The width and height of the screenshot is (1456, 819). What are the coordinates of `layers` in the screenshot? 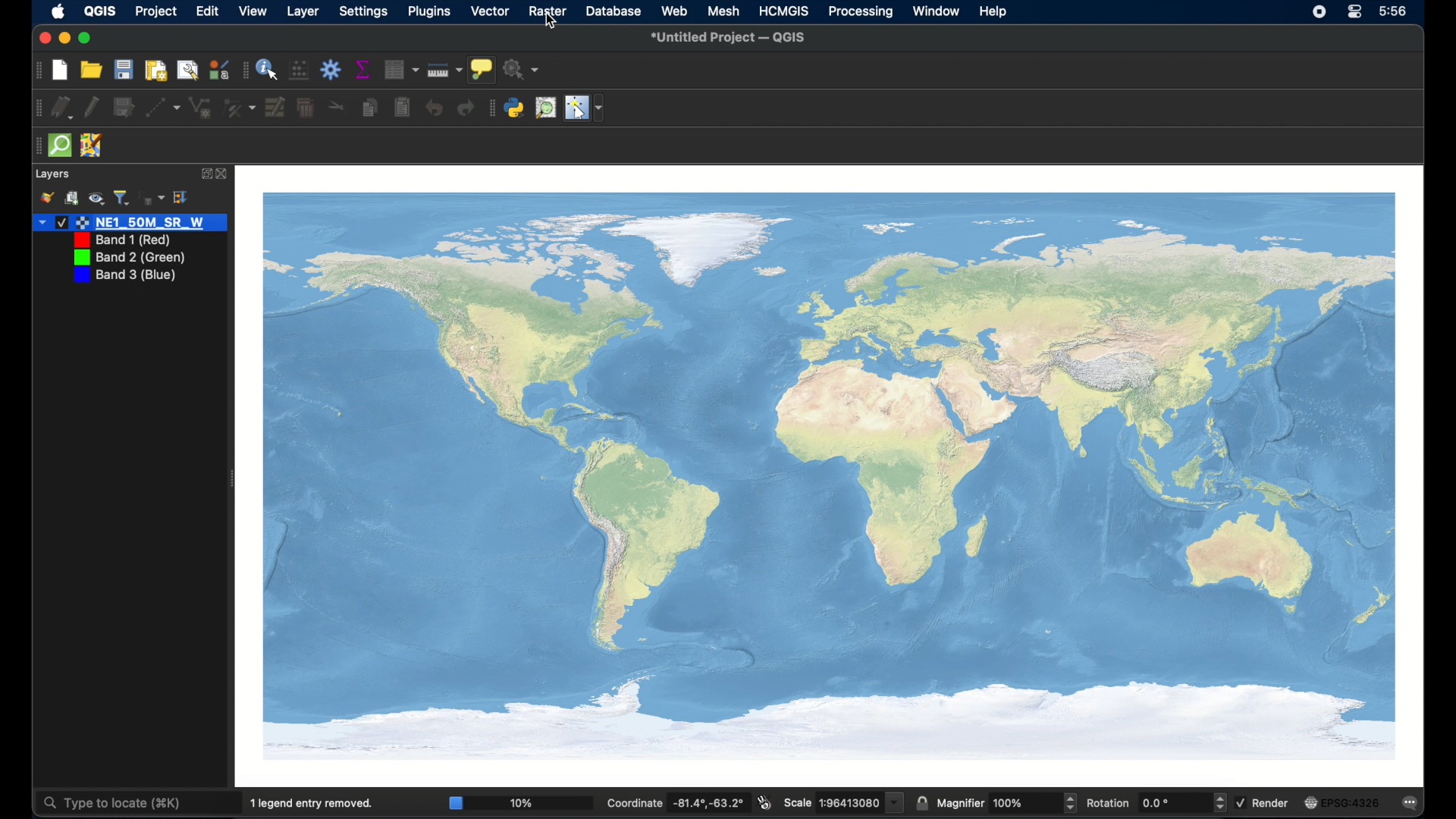 It's located at (52, 174).